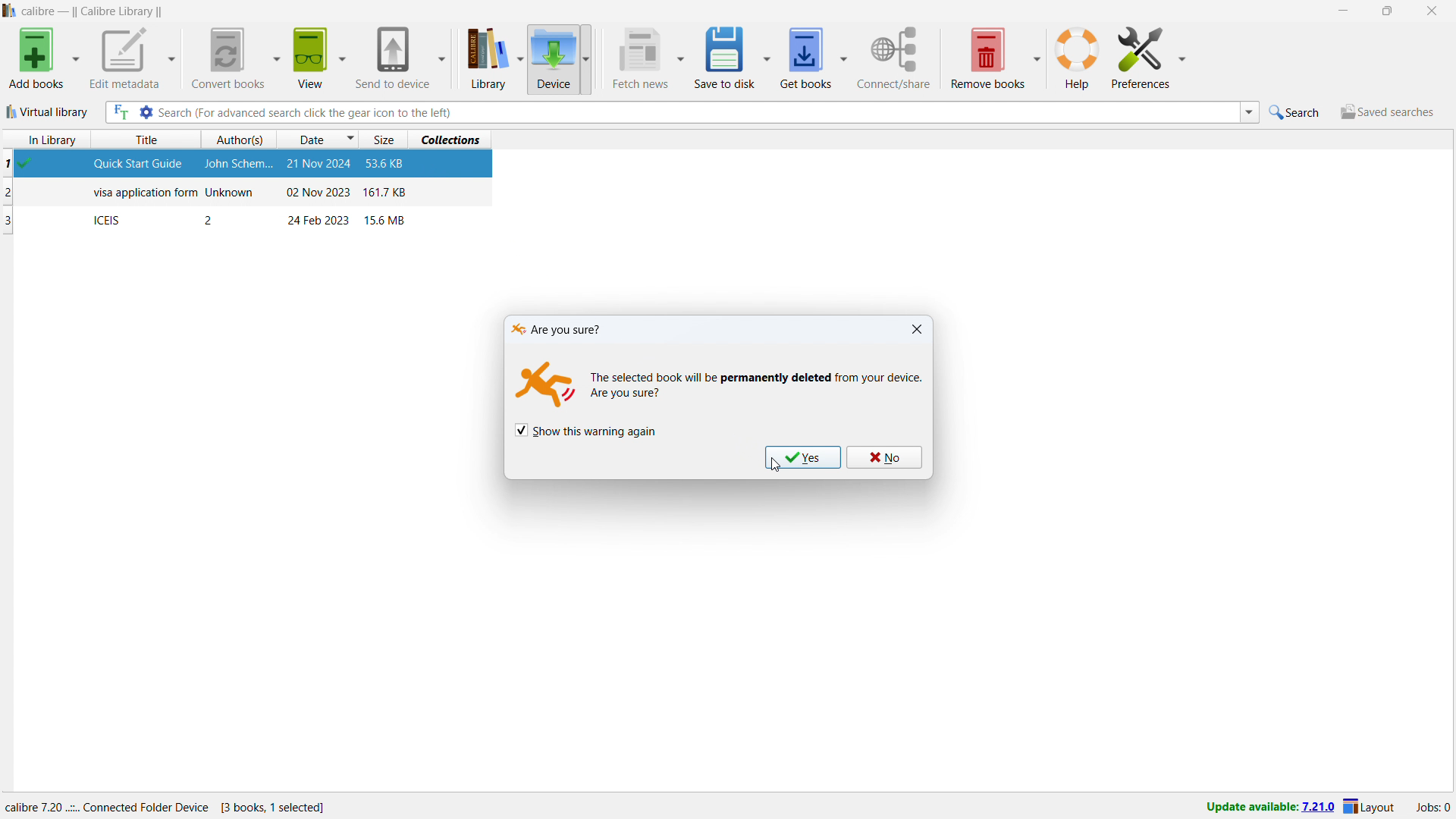  What do you see at coordinates (172, 804) in the screenshot?
I see `details of software program` at bounding box center [172, 804].